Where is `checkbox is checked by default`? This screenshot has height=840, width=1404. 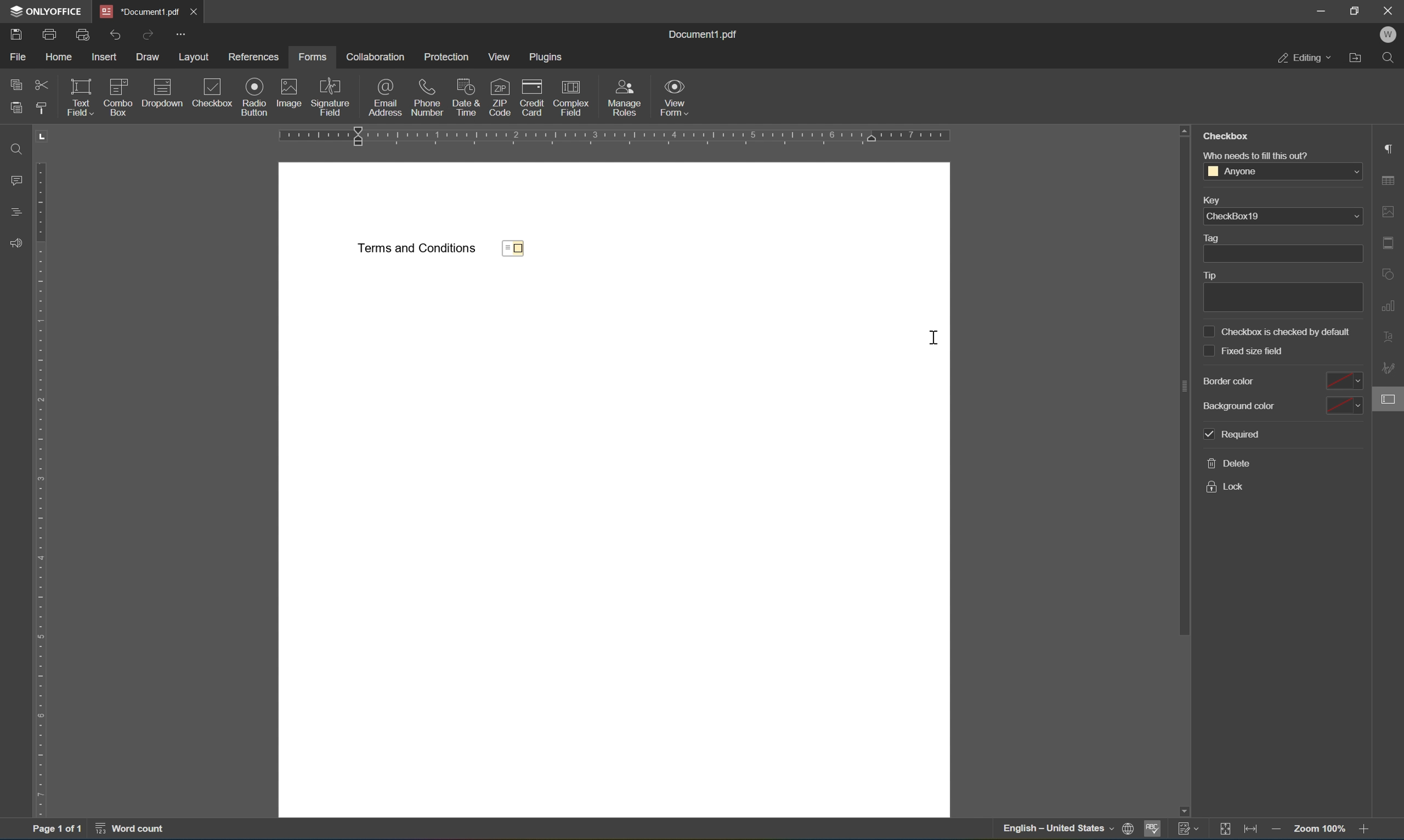 checkbox is checked by default is located at coordinates (1278, 331).